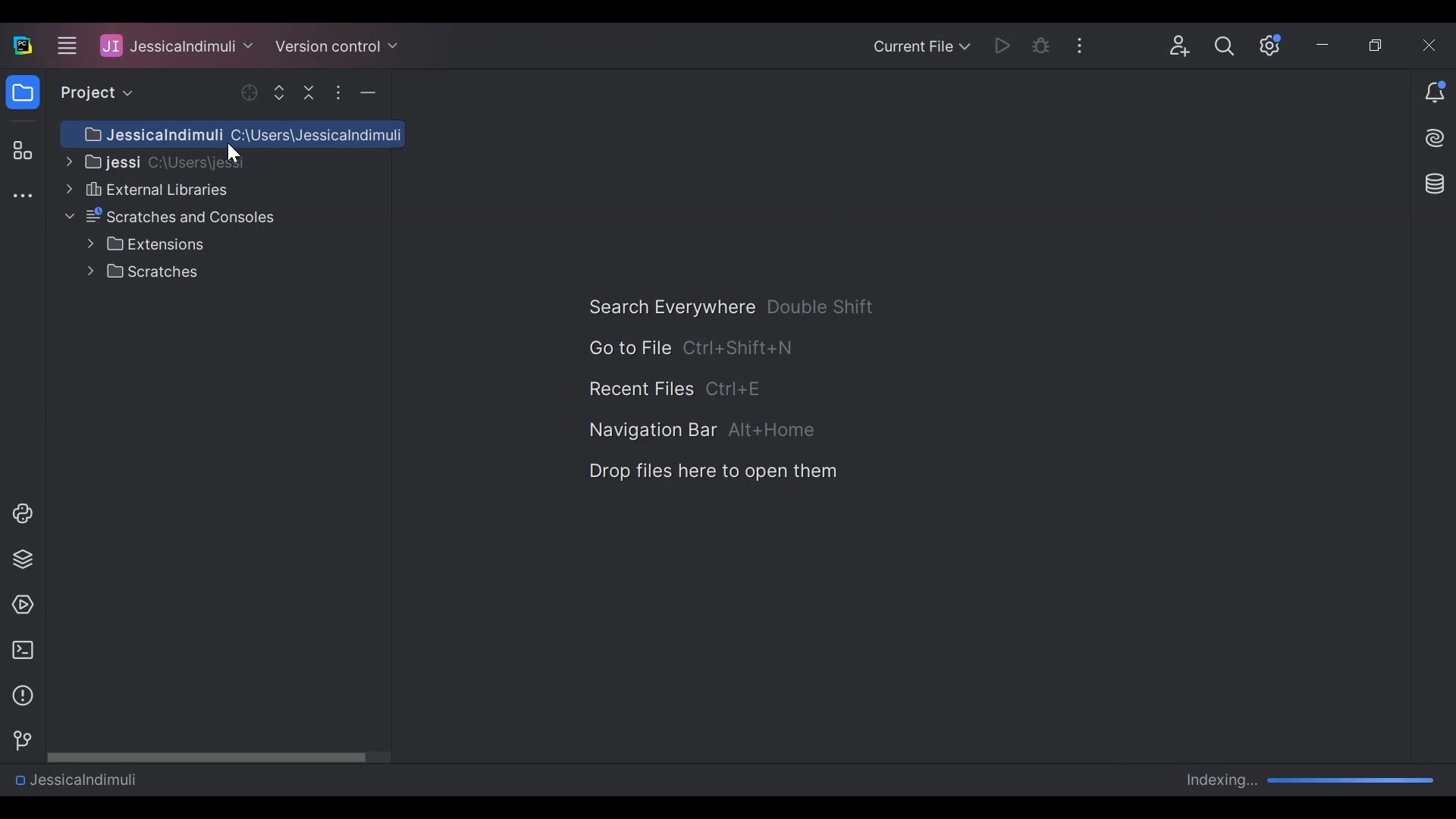  Describe the element at coordinates (283, 92) in the screenshot. I see `Expand Selected` at that location.